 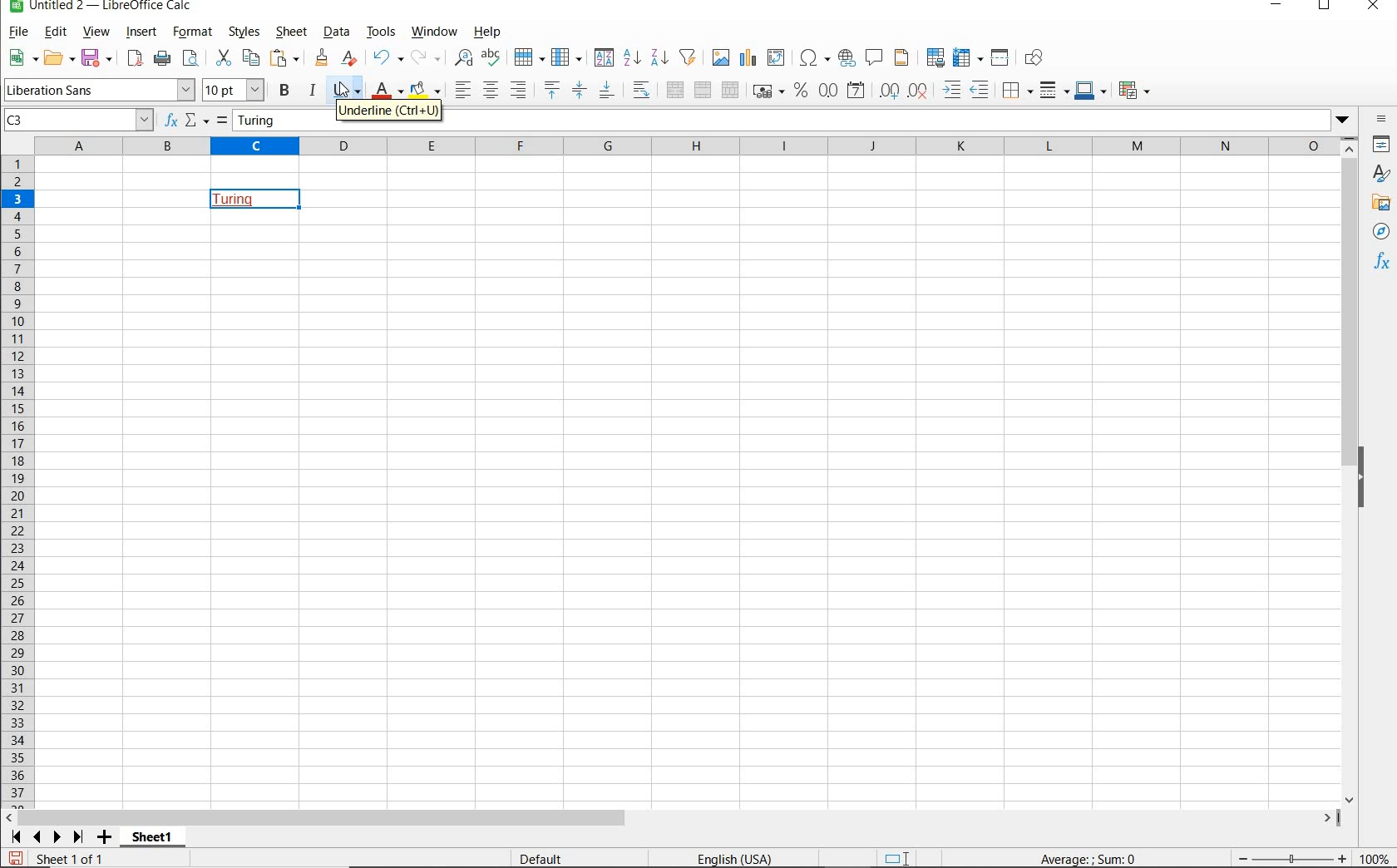 What do you see at coordinates (434, 31) in the screenshot?
I see `WINDOW` at bounding box center [434, 31].